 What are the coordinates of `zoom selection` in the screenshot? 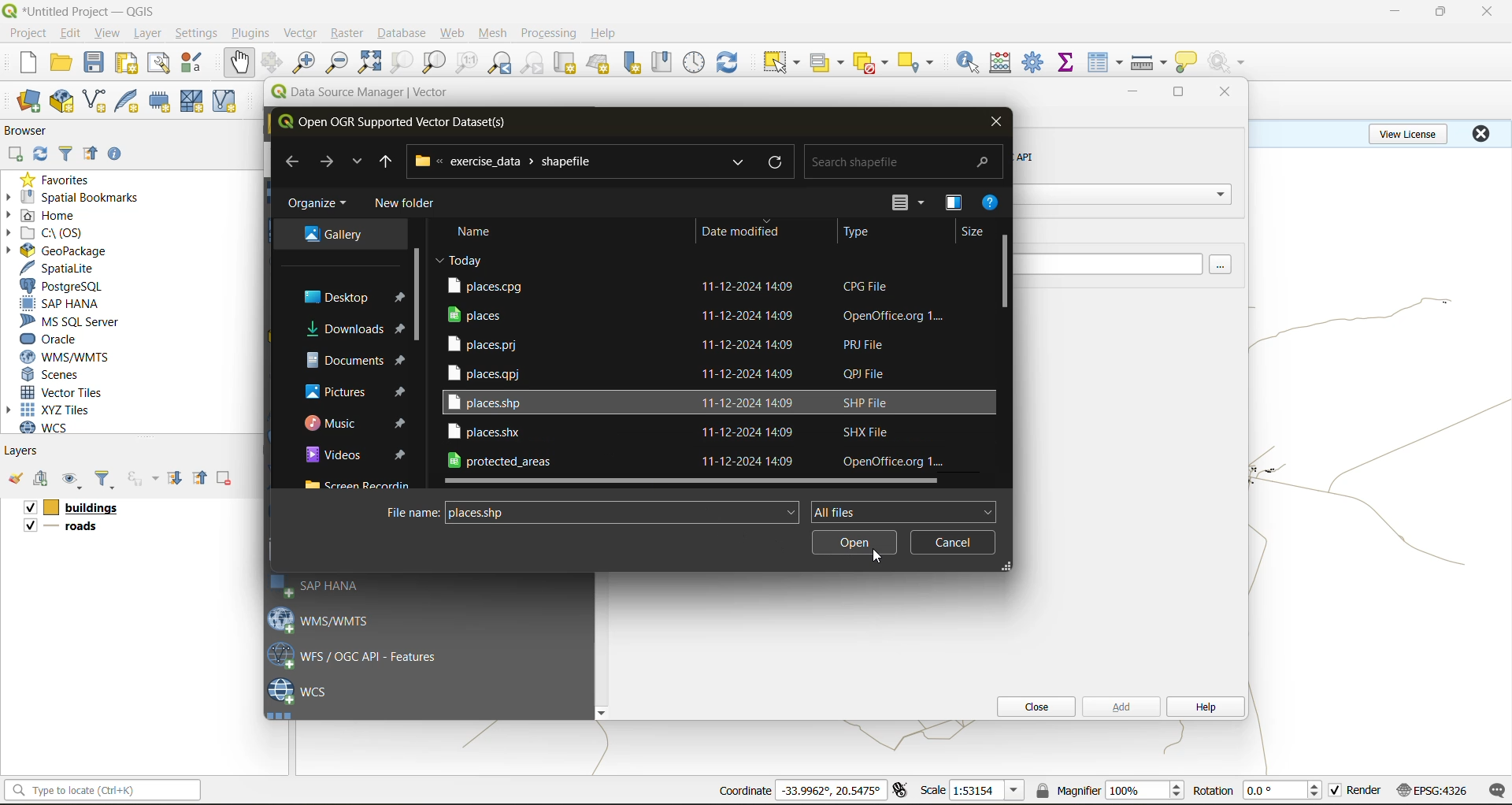 It's located at (400, 64).